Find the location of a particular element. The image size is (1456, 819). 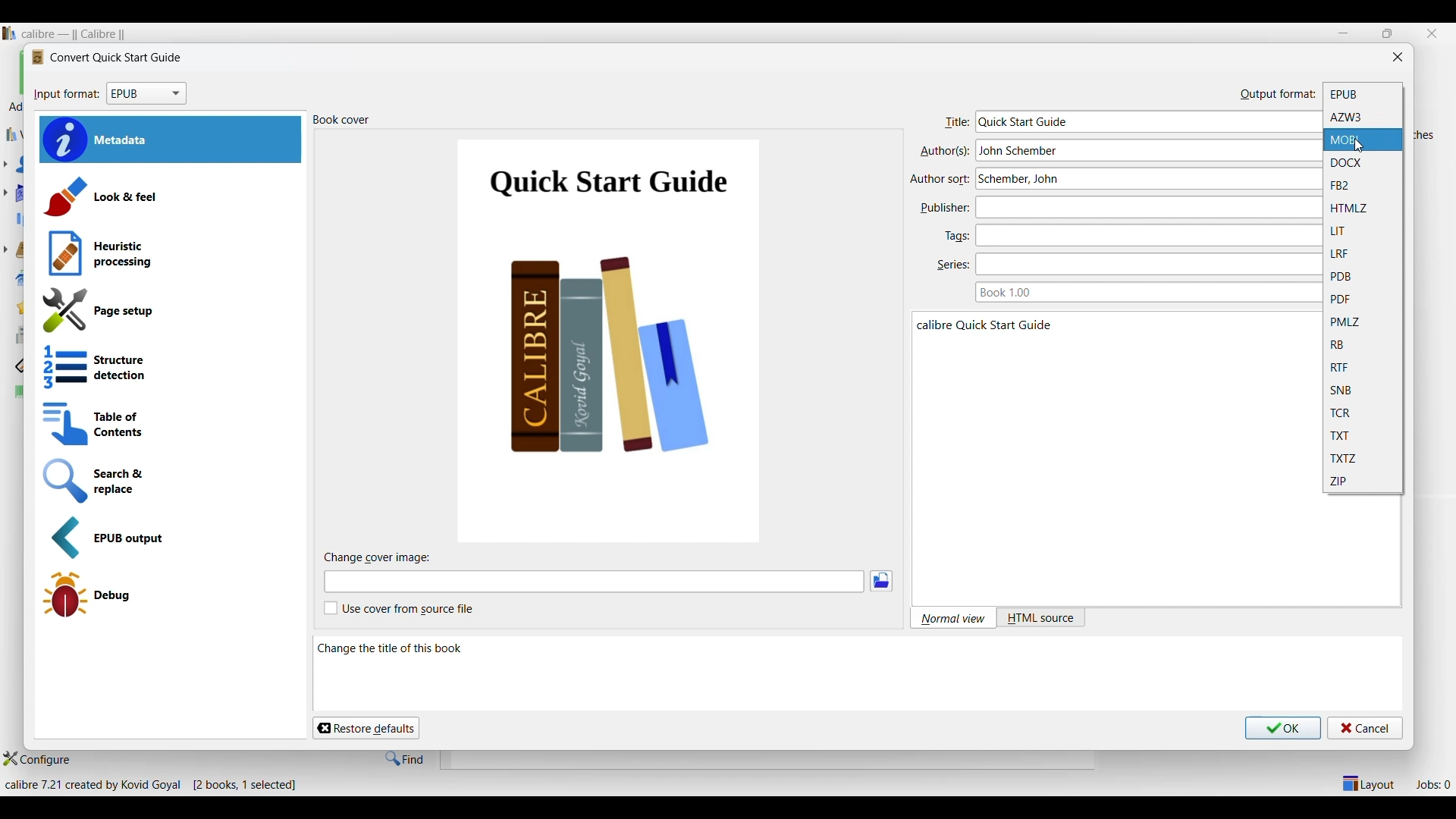

series is located at coordinates (952, 267).